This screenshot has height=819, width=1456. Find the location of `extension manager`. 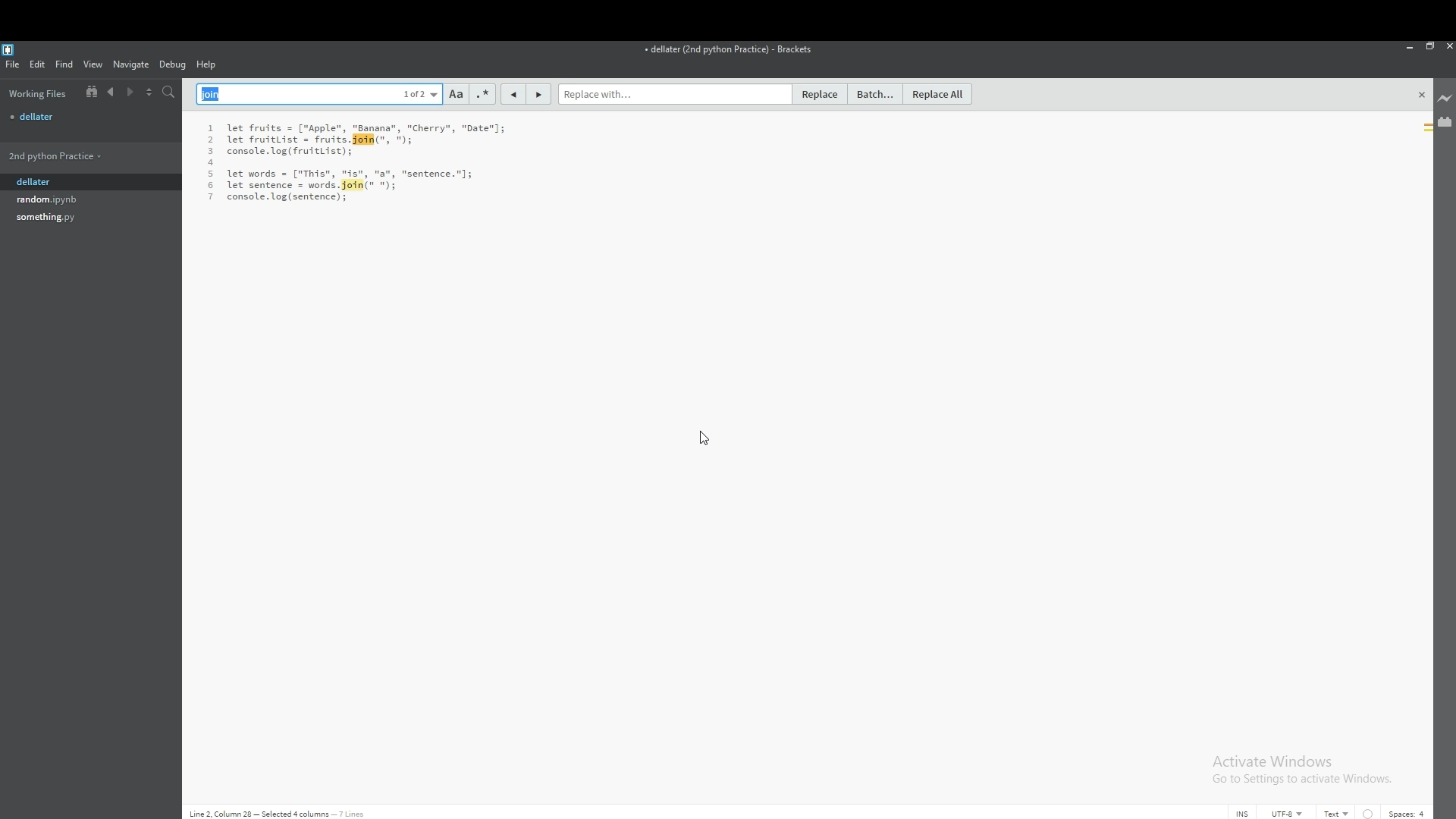

extension manager is located at coordinates (1444, 121).